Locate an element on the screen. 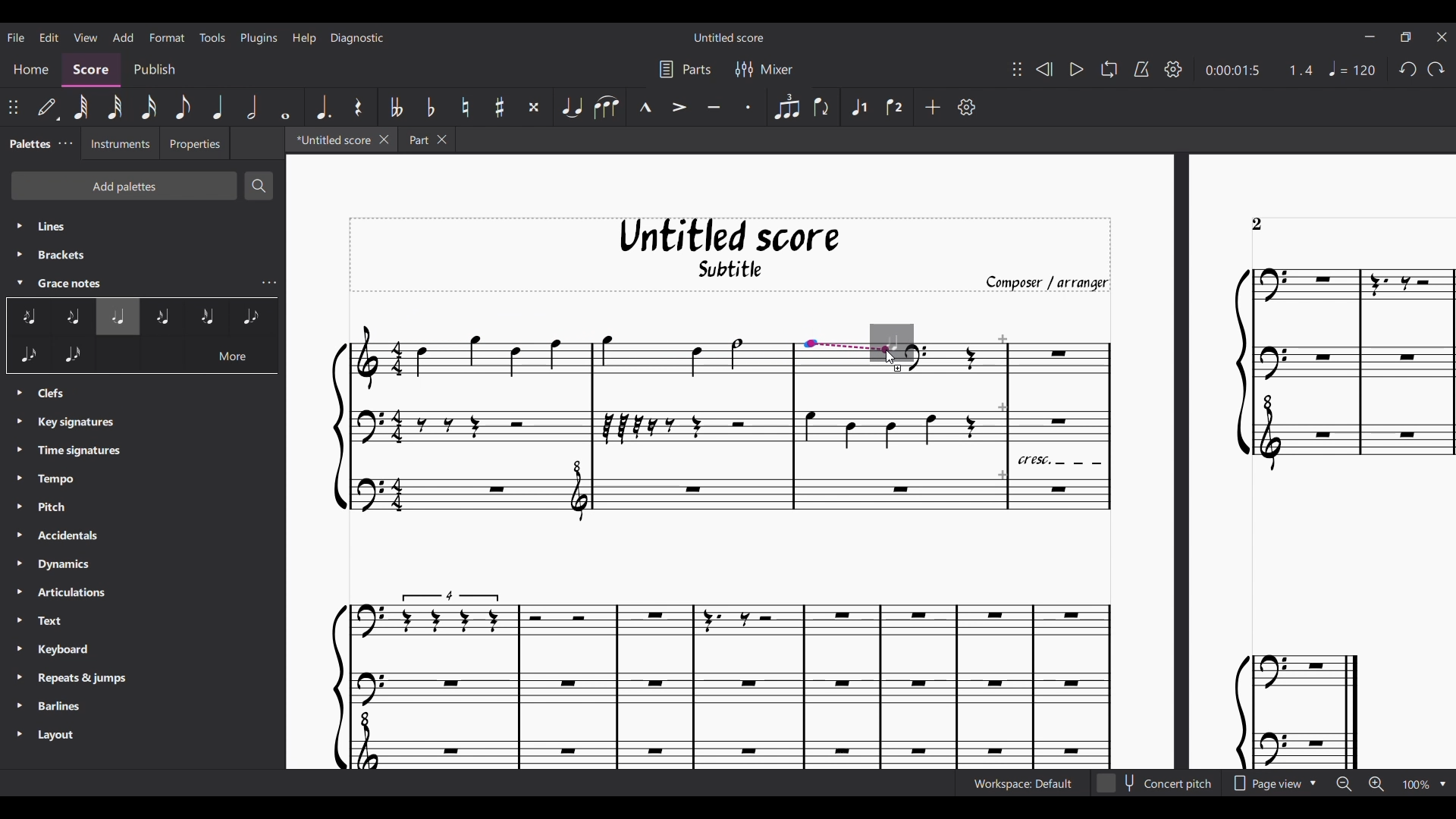 The height and width of the screenshot is (819, 1456). Close/Undock Palette tab is located at coordinates (65, 143).